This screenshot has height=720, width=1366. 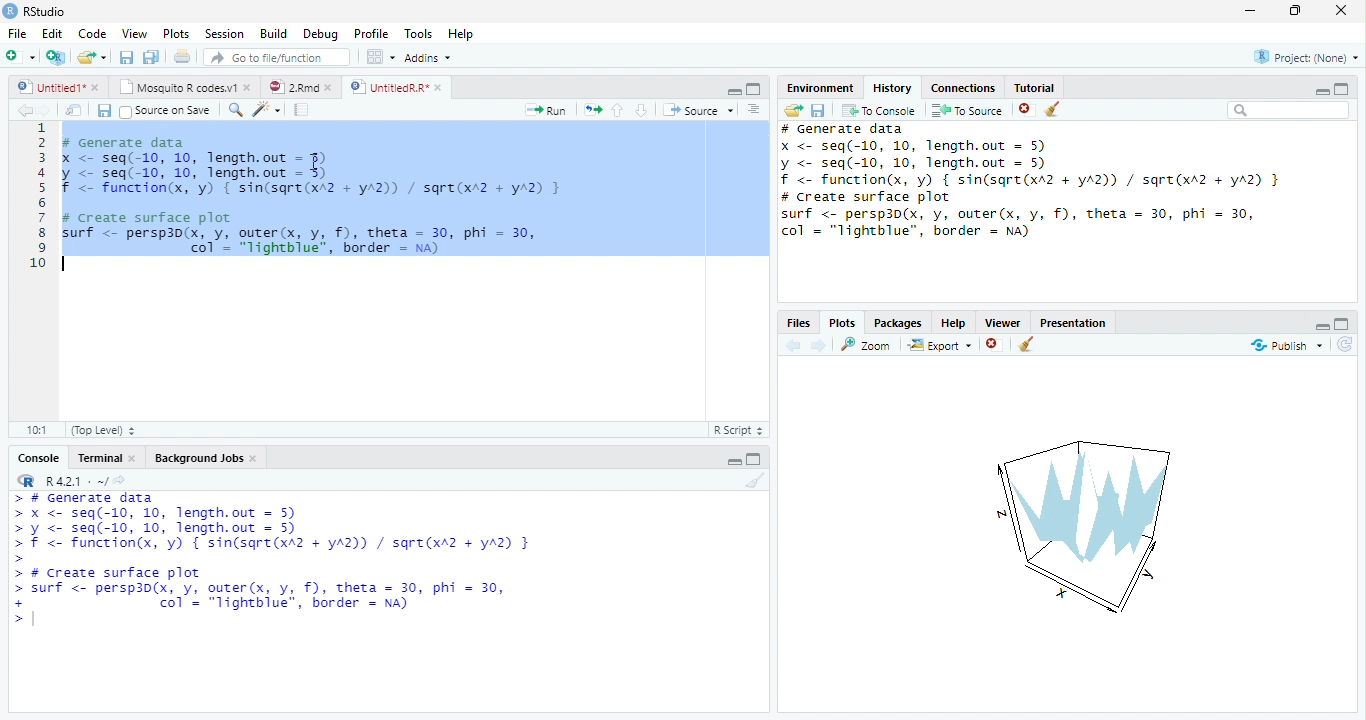 I want to click on Publish, so click(x=1287, y=345).